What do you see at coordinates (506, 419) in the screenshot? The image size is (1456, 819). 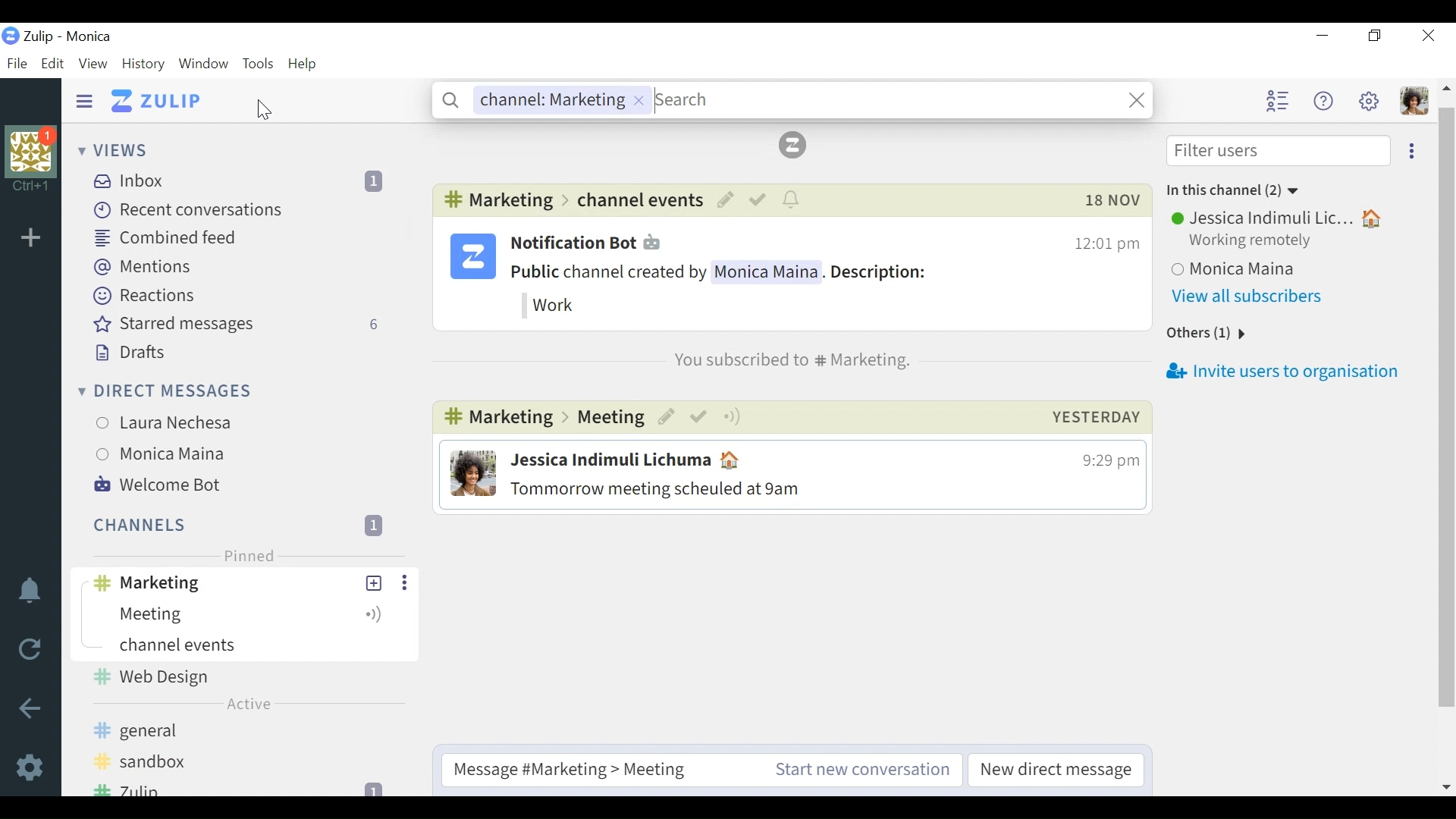 I see `#channel` at bounding box center [506, 419].